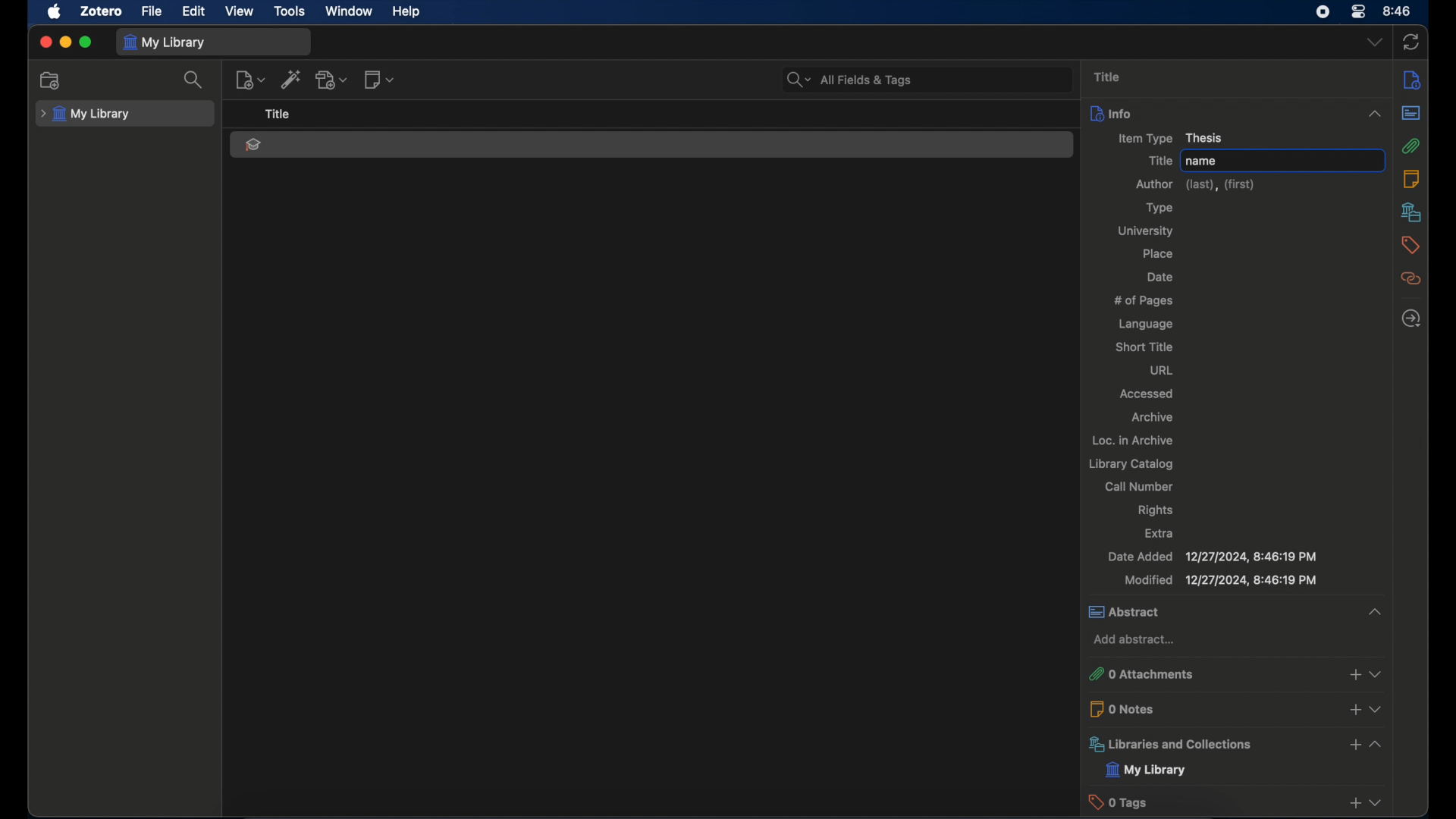 This screenshot has height=819, width=1456. Describe the element at coordinates (1212, 557) in the screenshot. I see `date added` at that location.